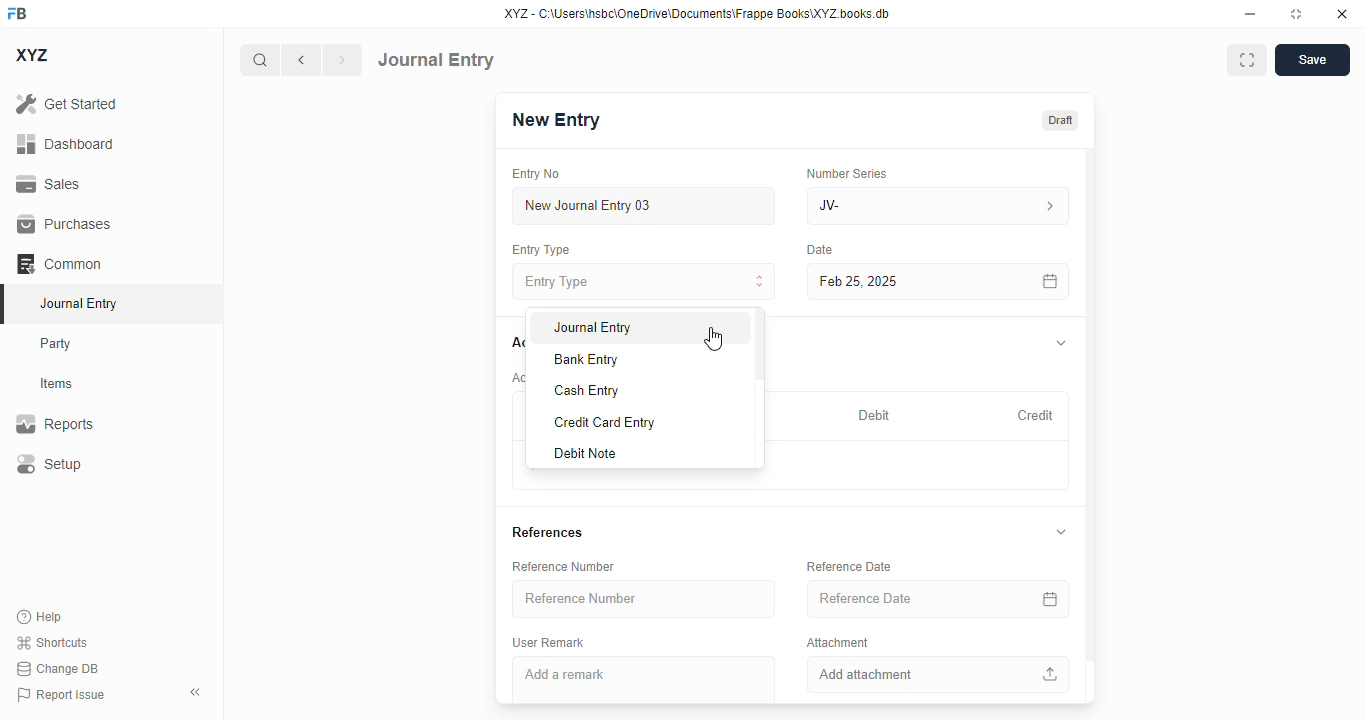 Image resolution: width=1366 pixels, height=720 pixels. What do you see at coordinates (554, 120) in the screenshot?
I see `new entry` at bounding box center [554, 120].